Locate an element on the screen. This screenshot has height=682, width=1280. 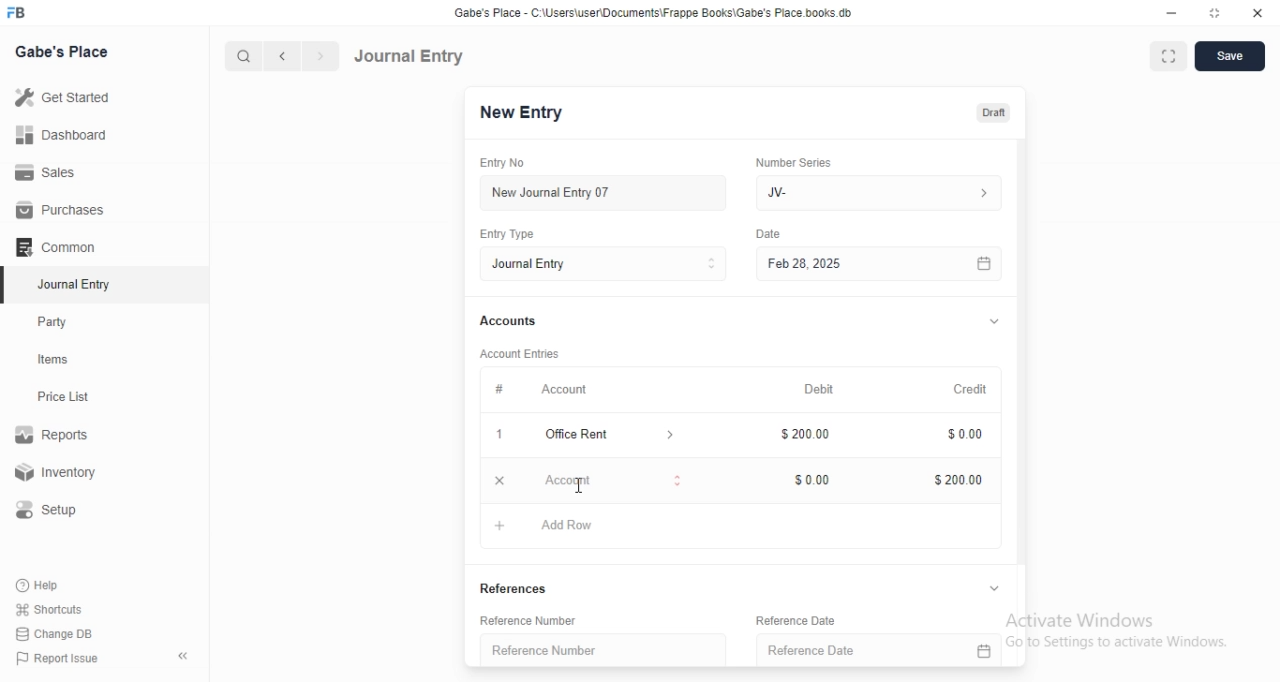
‘Number Series is located at coordinates (792, 162).